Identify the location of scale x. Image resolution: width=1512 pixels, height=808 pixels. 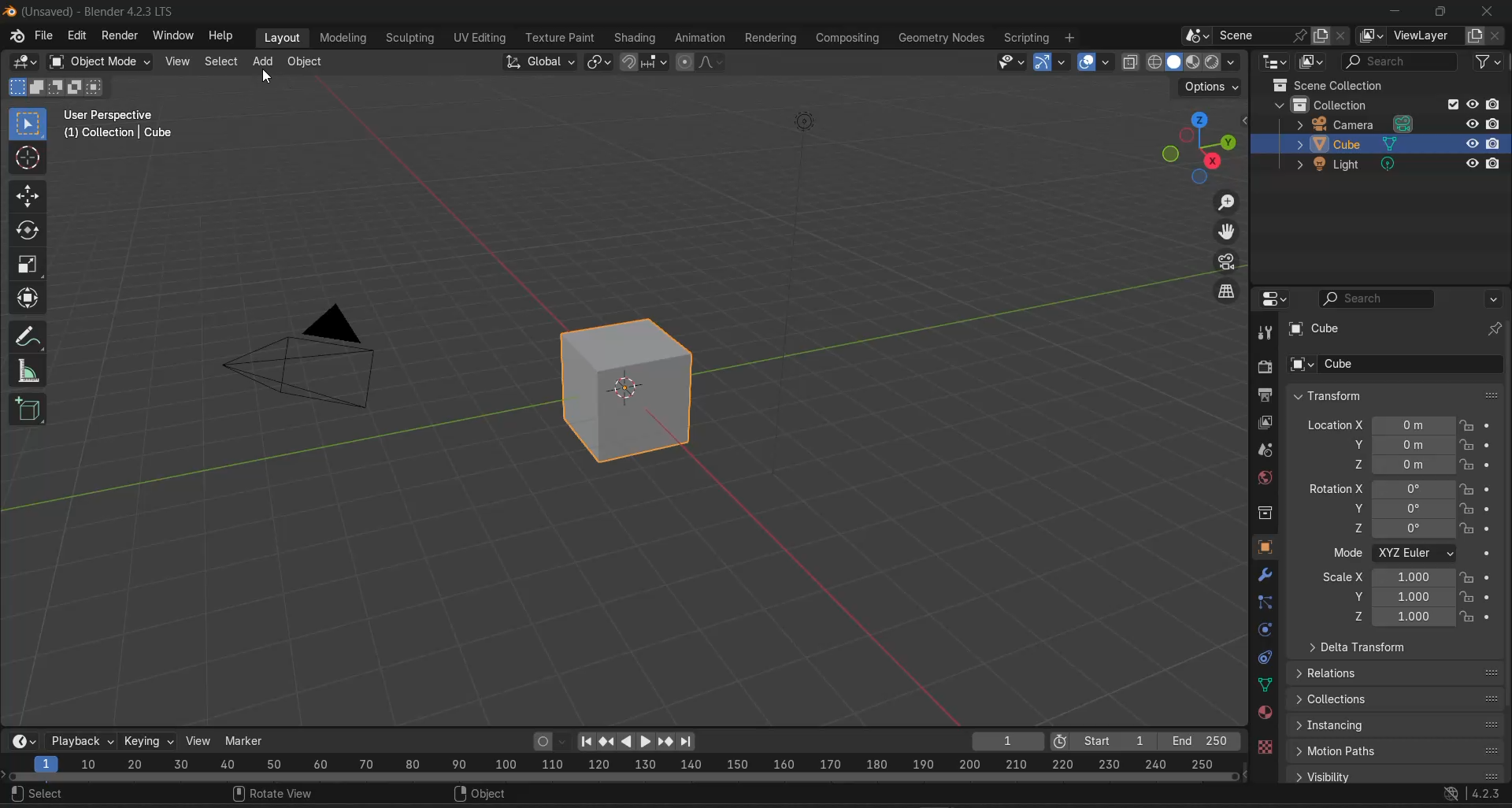
(1388, 577).